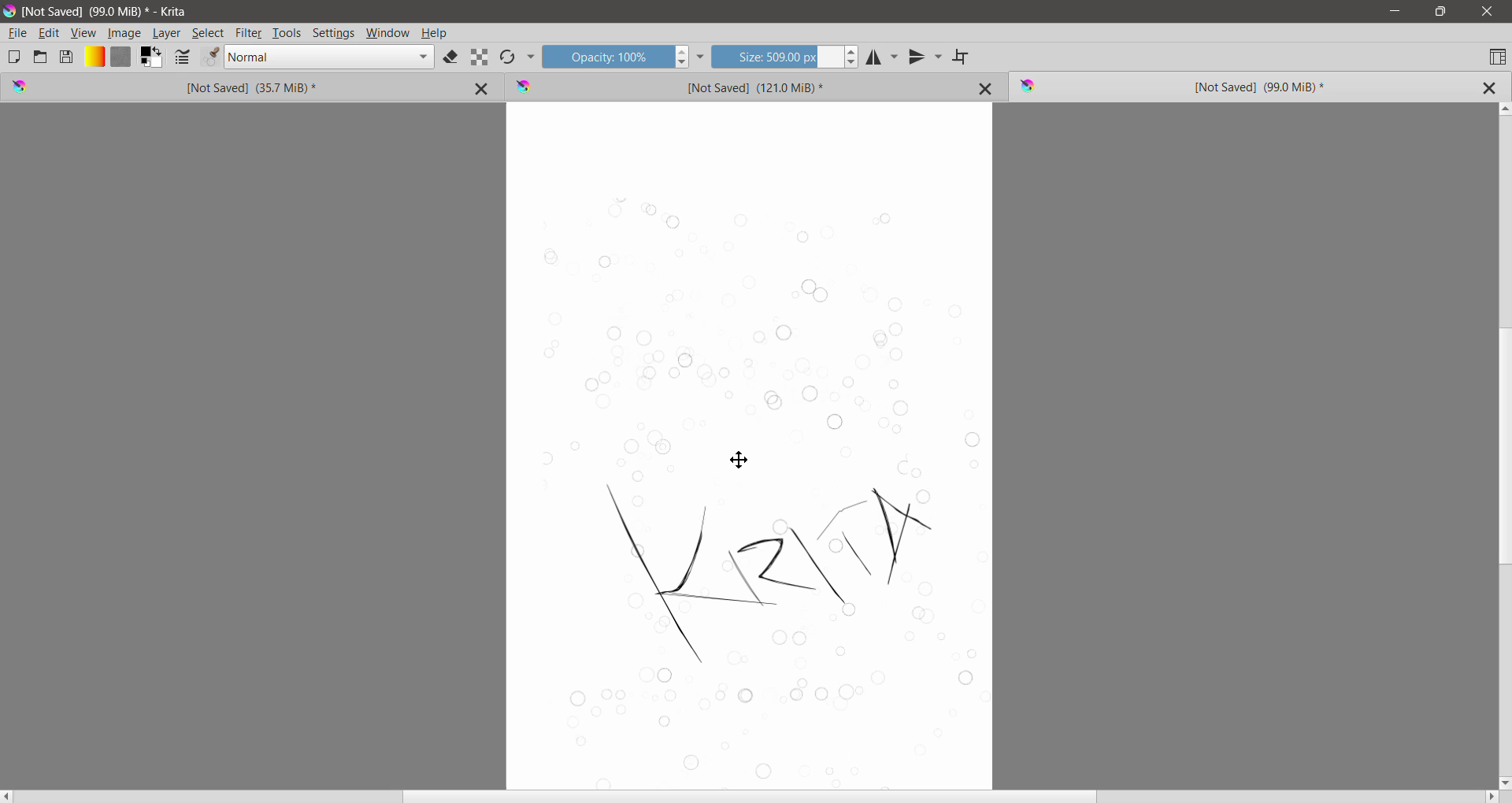 This screenshot has height=803, width=1512. Describe the element at coordinates (739, 460) in the screenshot. I see `Move tool cursor` at that location.